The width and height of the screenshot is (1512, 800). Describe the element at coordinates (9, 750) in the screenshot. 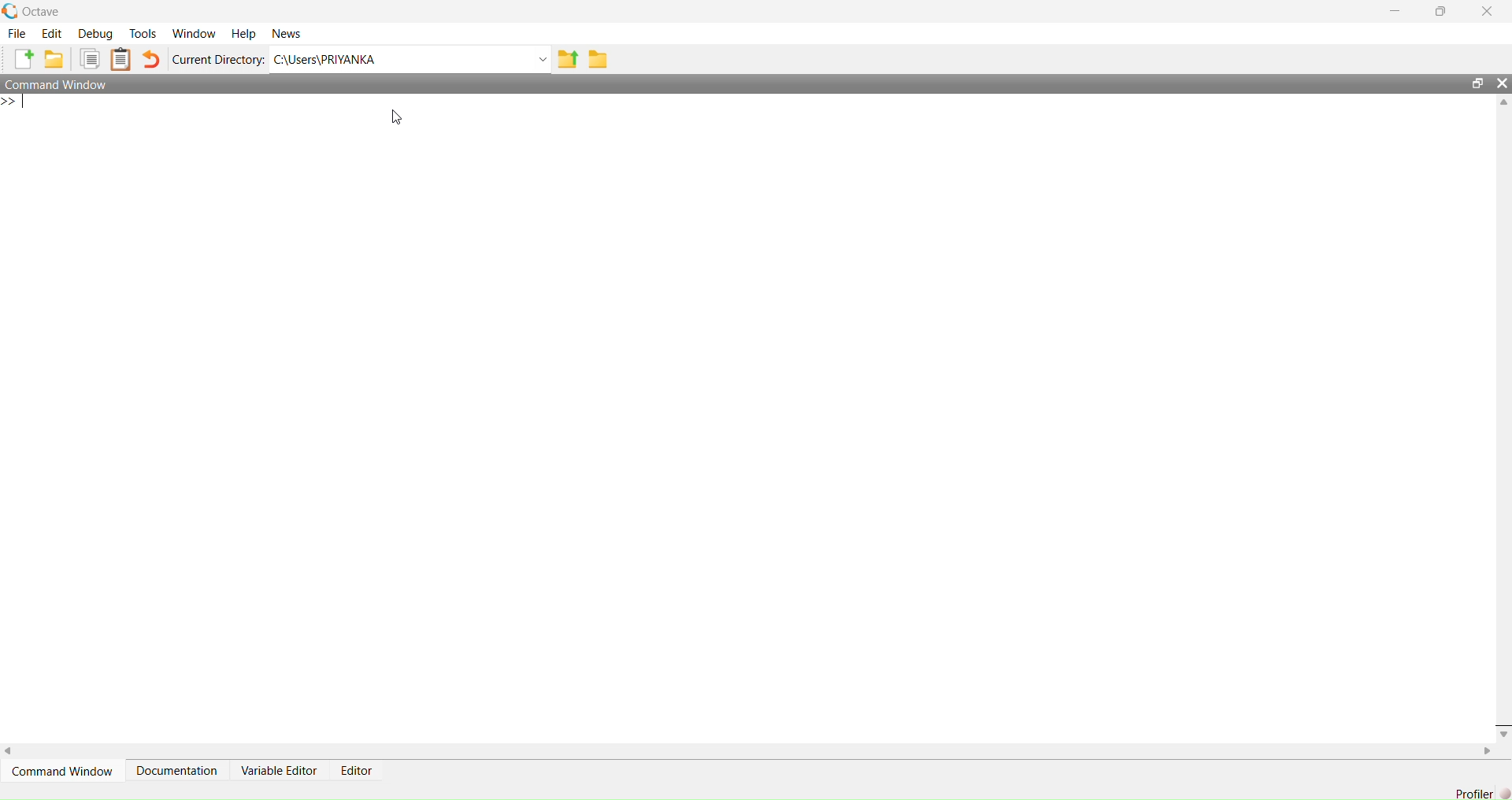

I see `Left` at that location.